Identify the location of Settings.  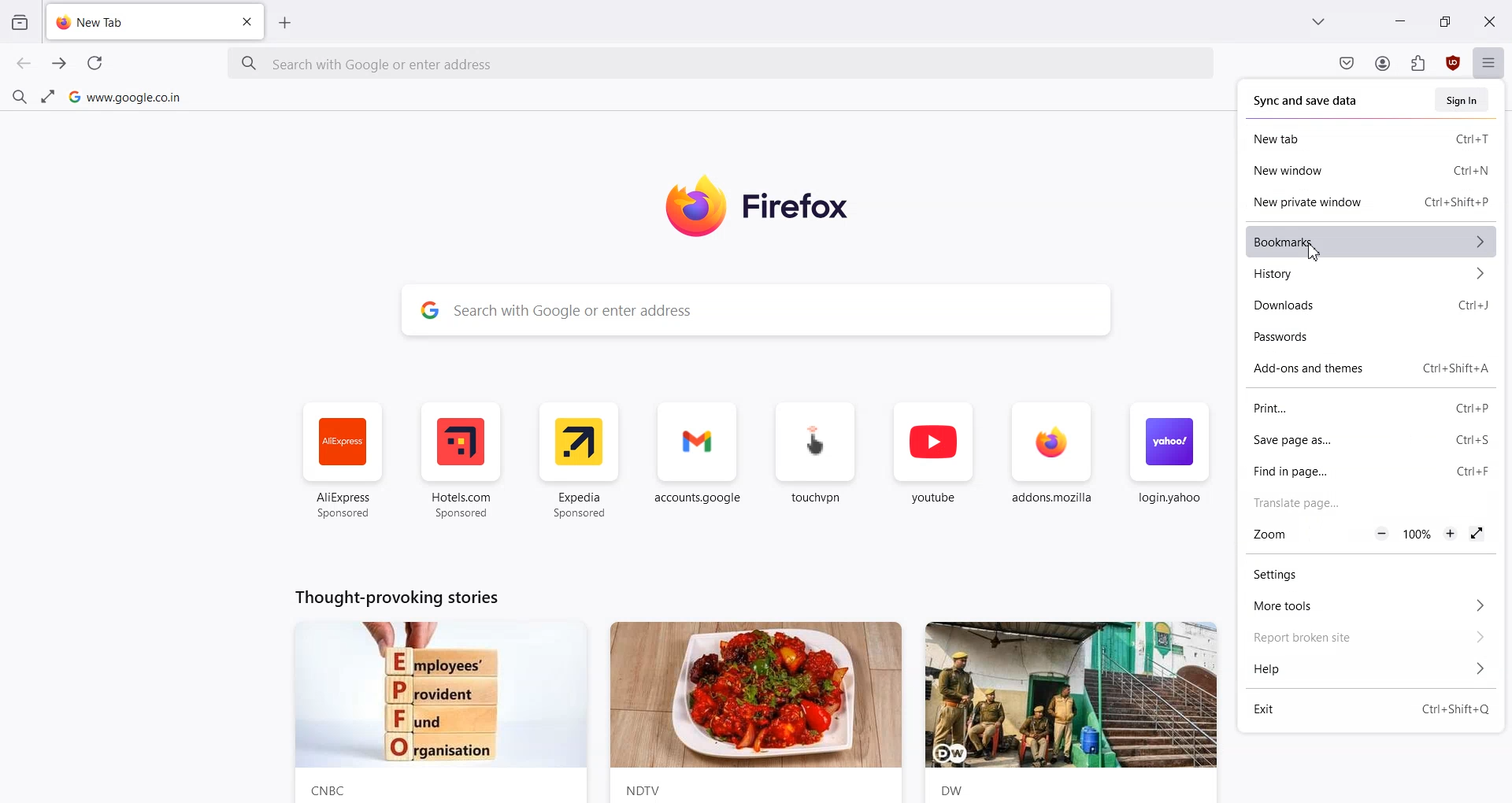
(1370, 575).